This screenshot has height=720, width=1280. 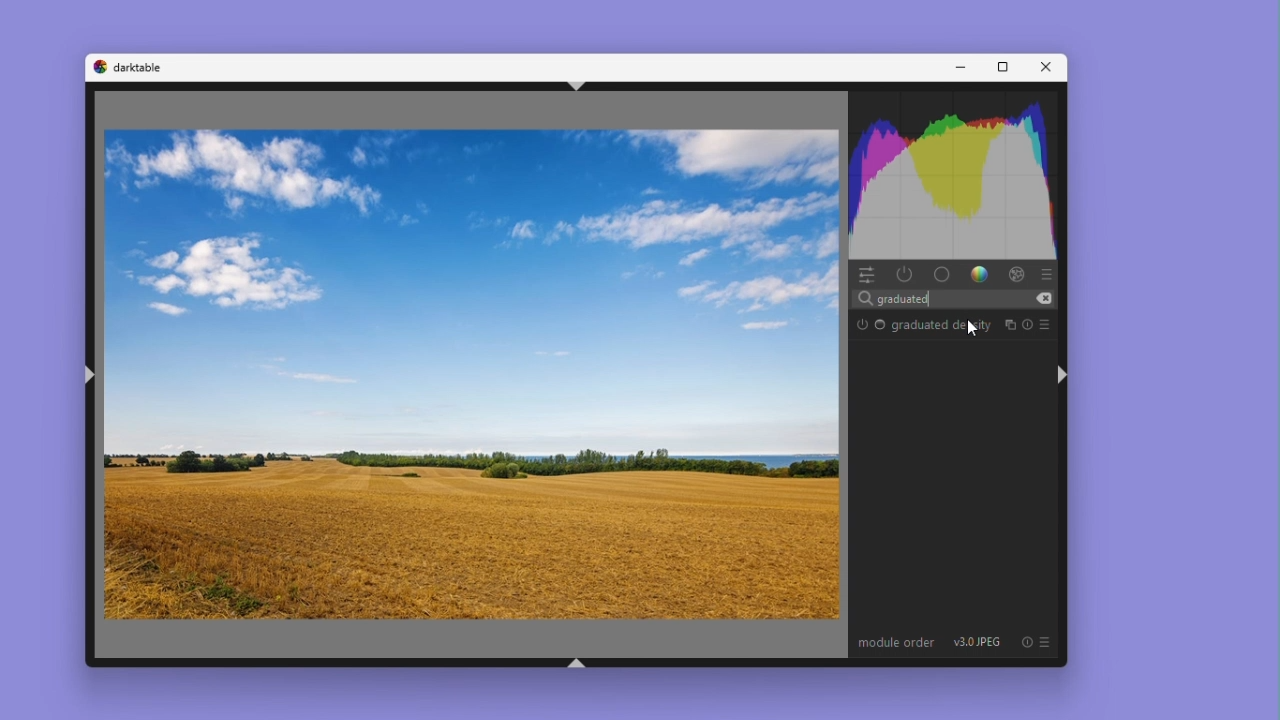 What do you see at coordinates (98, 67) in the screenshot?
I see `darktable logo` at bounding box center [98, 67].